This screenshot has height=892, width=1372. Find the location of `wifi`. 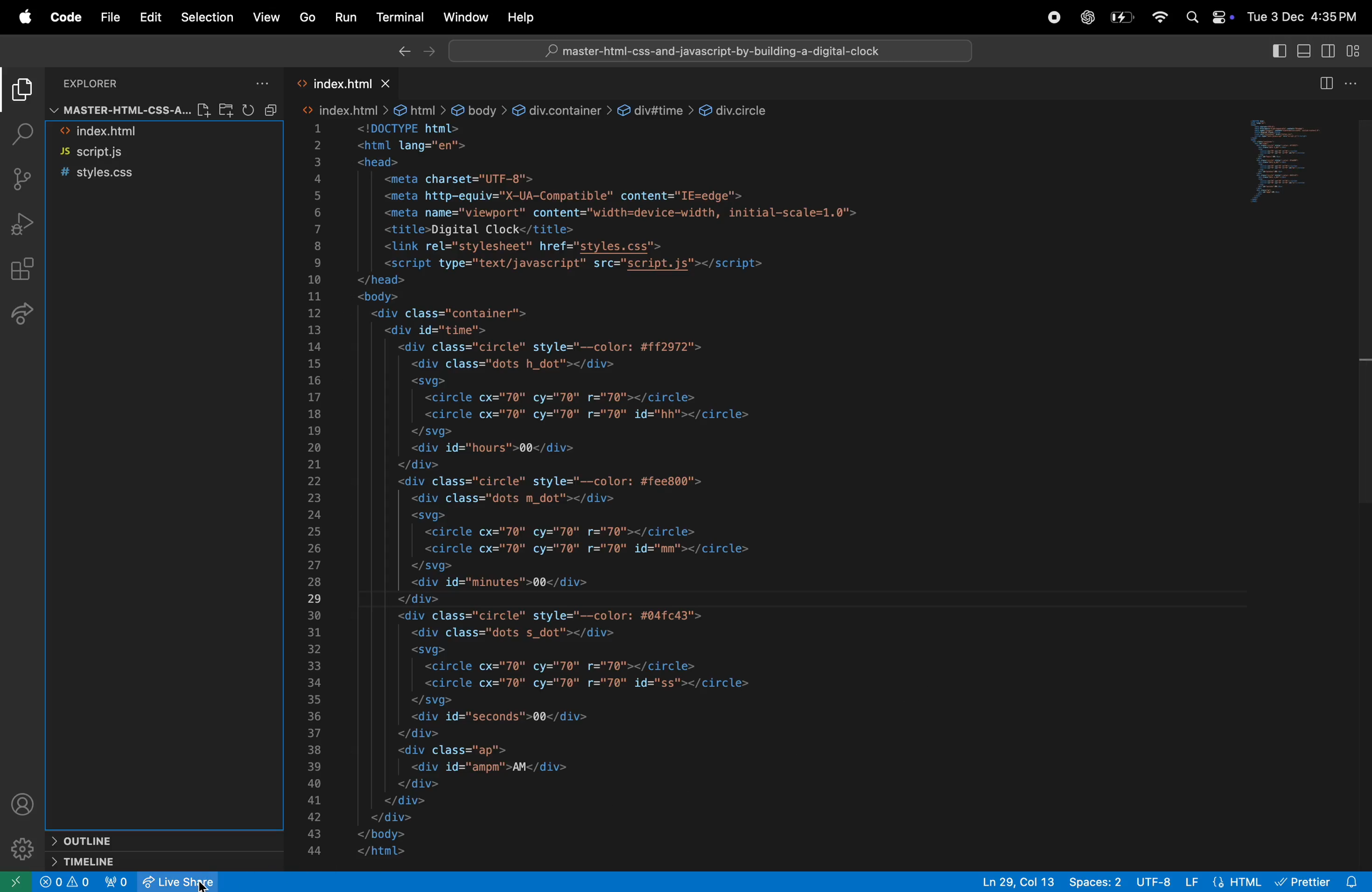

wifi is located at coordinates (1157, 17).